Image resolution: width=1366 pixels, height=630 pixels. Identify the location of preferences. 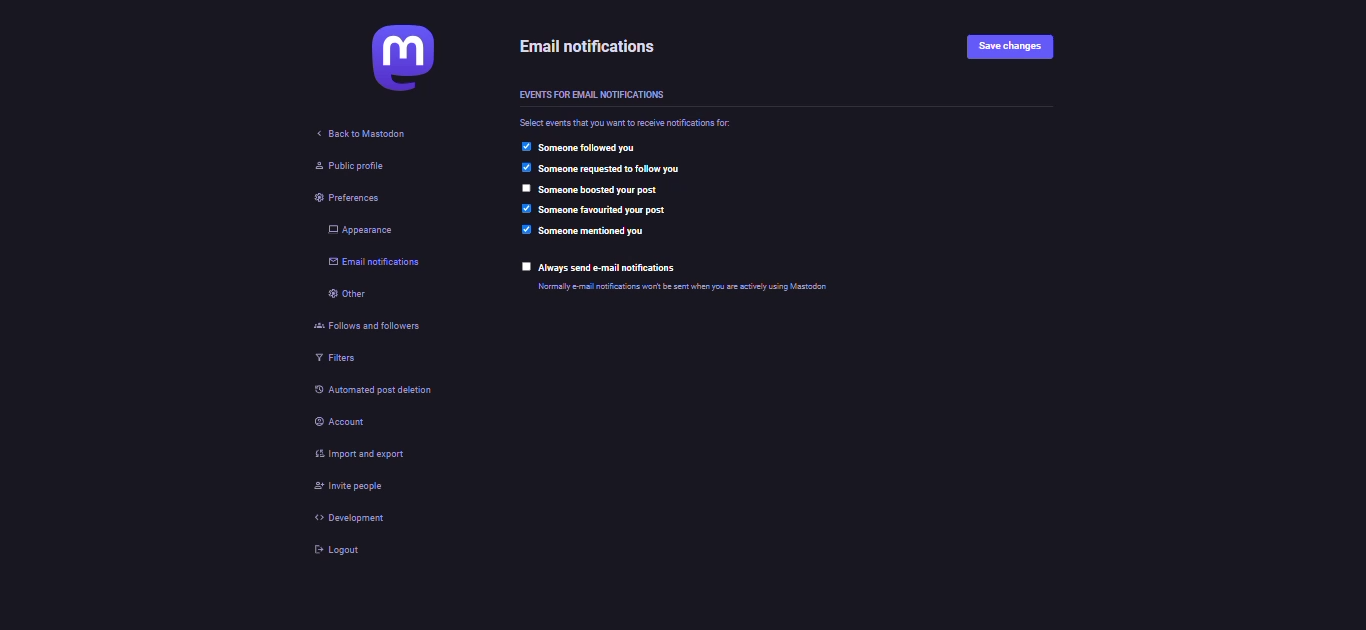
(337, 199).